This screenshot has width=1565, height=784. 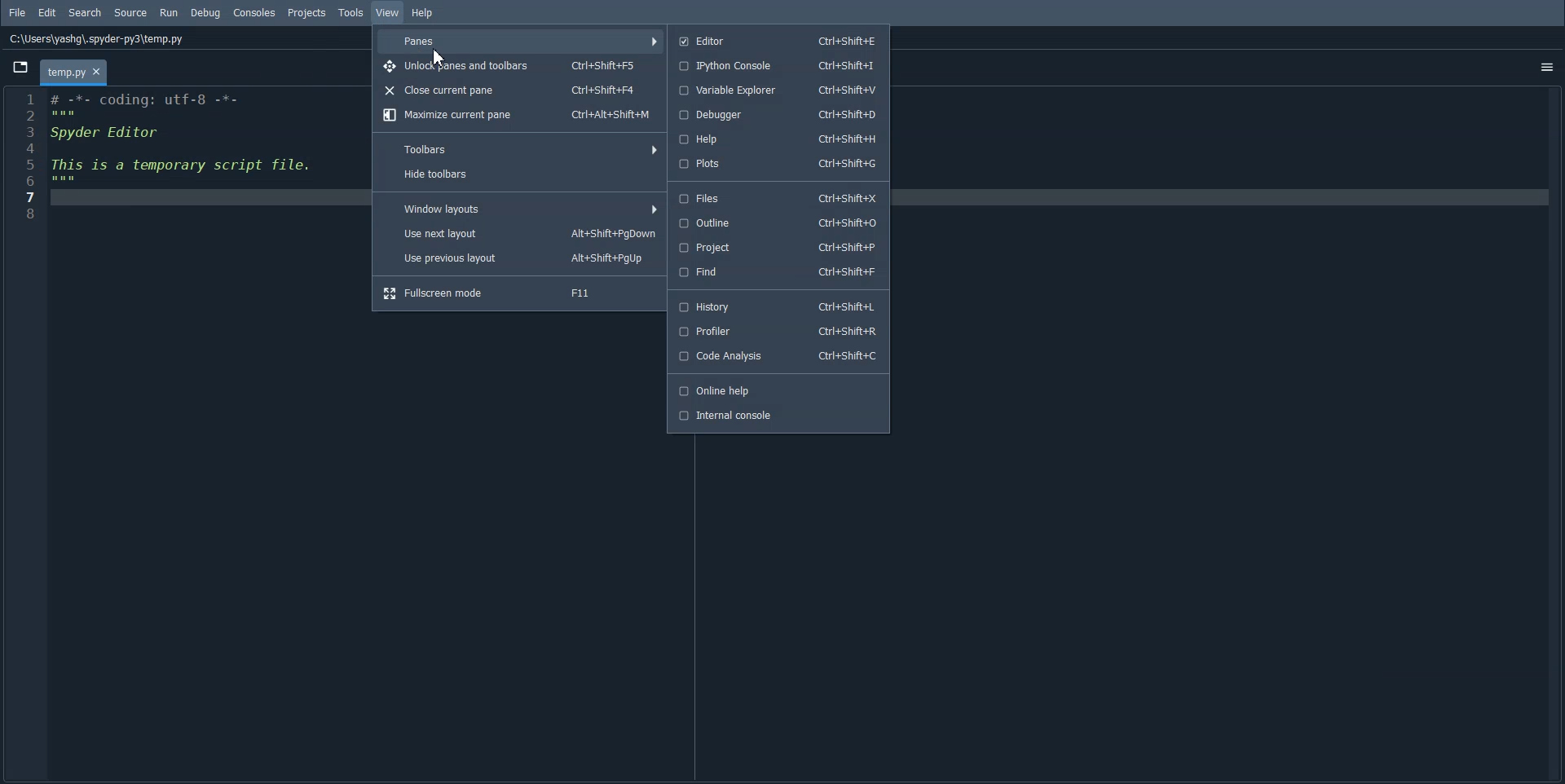 What do you see at coordinates (779, 90) in the screenshot?
I see `Variable Explore` at bounding box center [779, 90].